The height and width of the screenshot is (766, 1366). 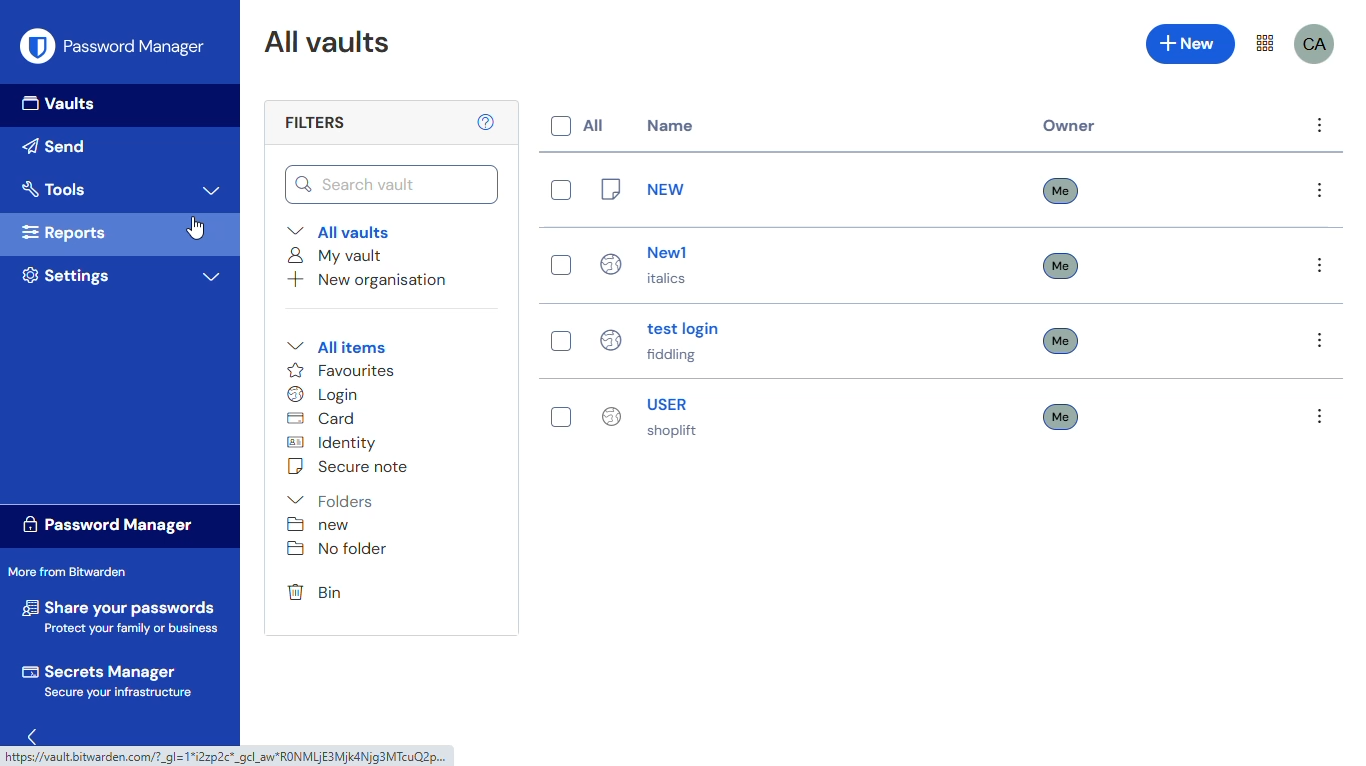 I want to click on password manager, so click(x=105, y=525).